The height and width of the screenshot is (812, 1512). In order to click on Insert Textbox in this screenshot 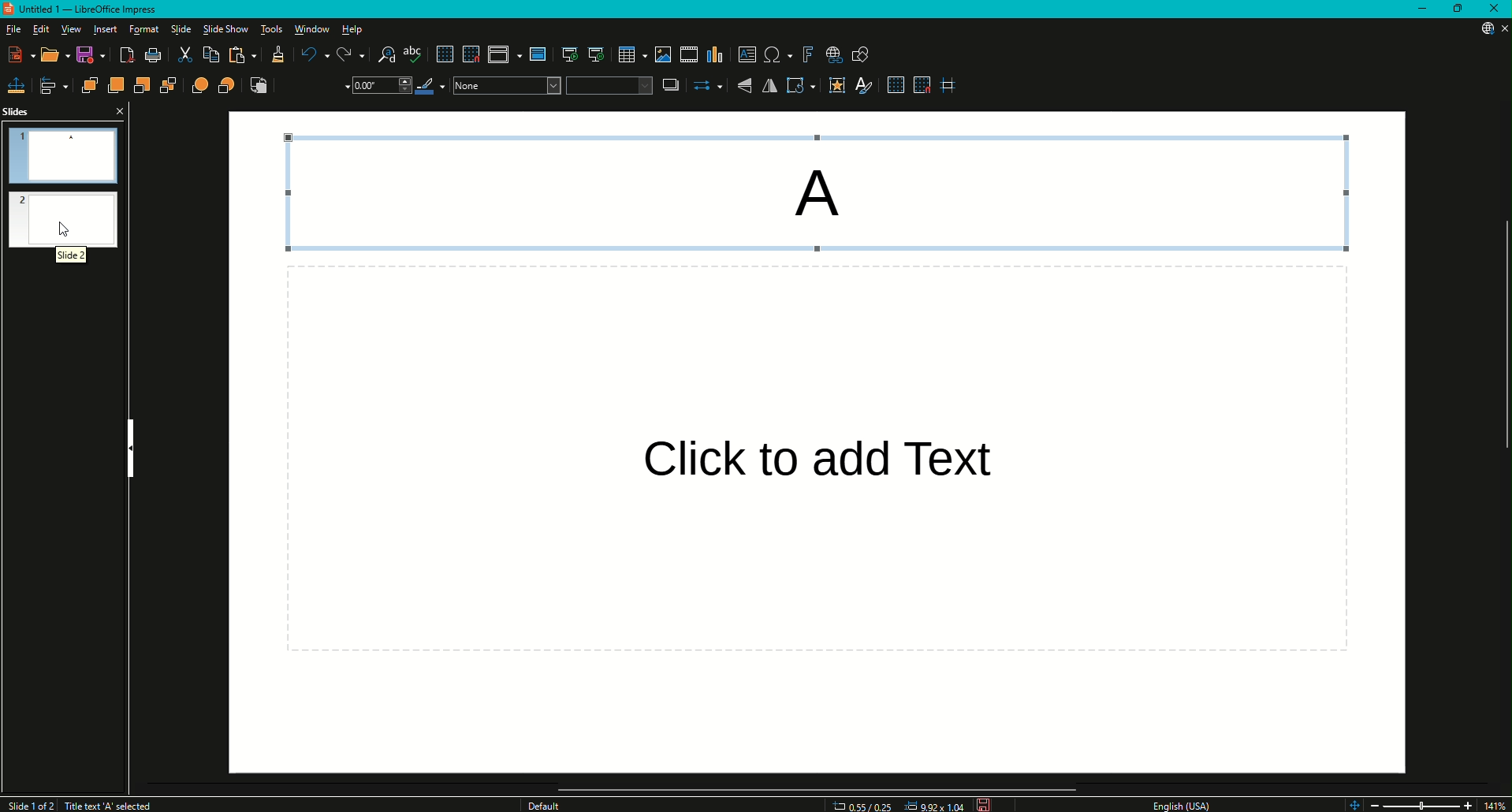, I will do `click(744, 55)`.